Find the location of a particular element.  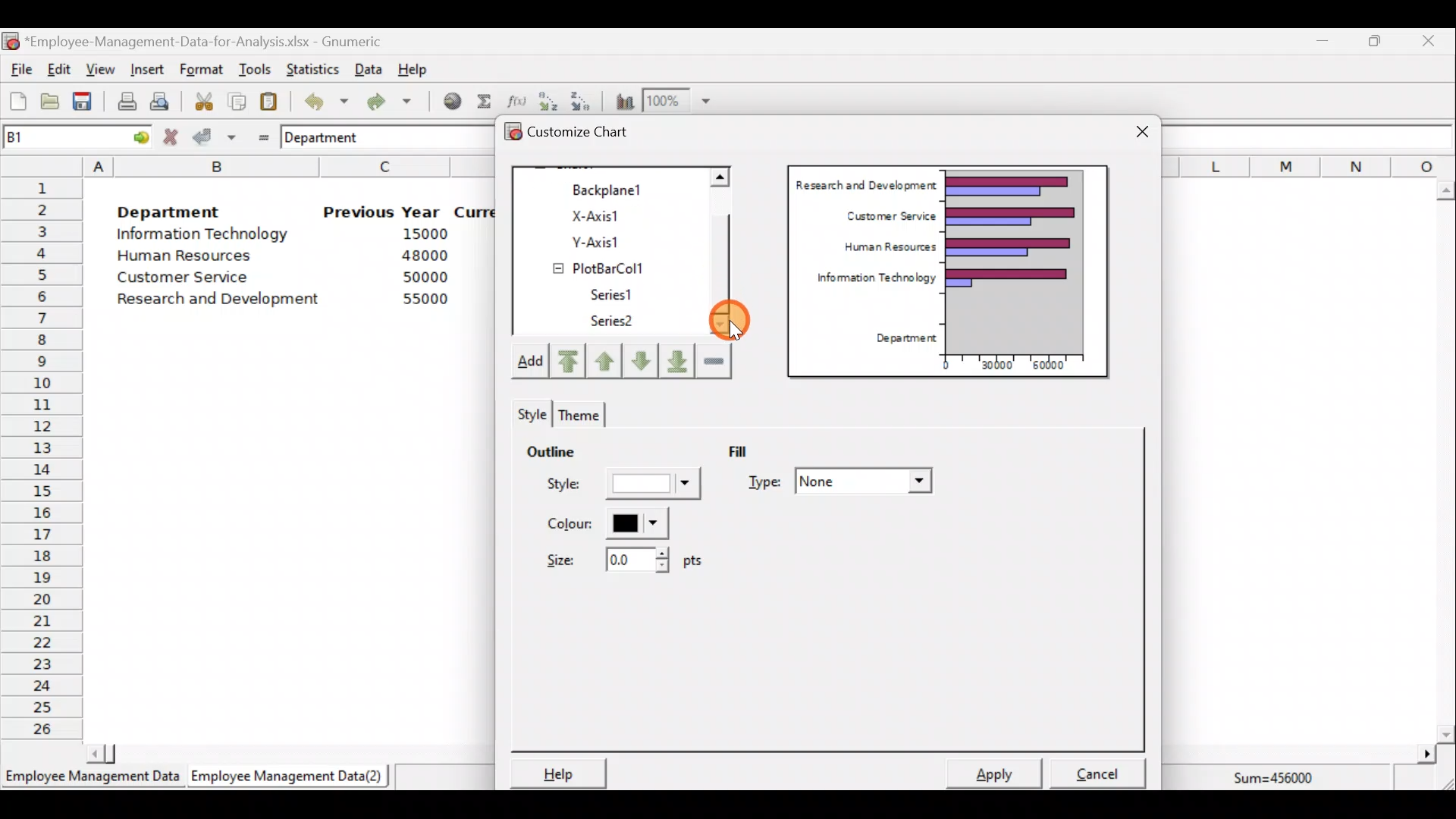

Cursor on scroll bar is located at coordinates (736, 316).